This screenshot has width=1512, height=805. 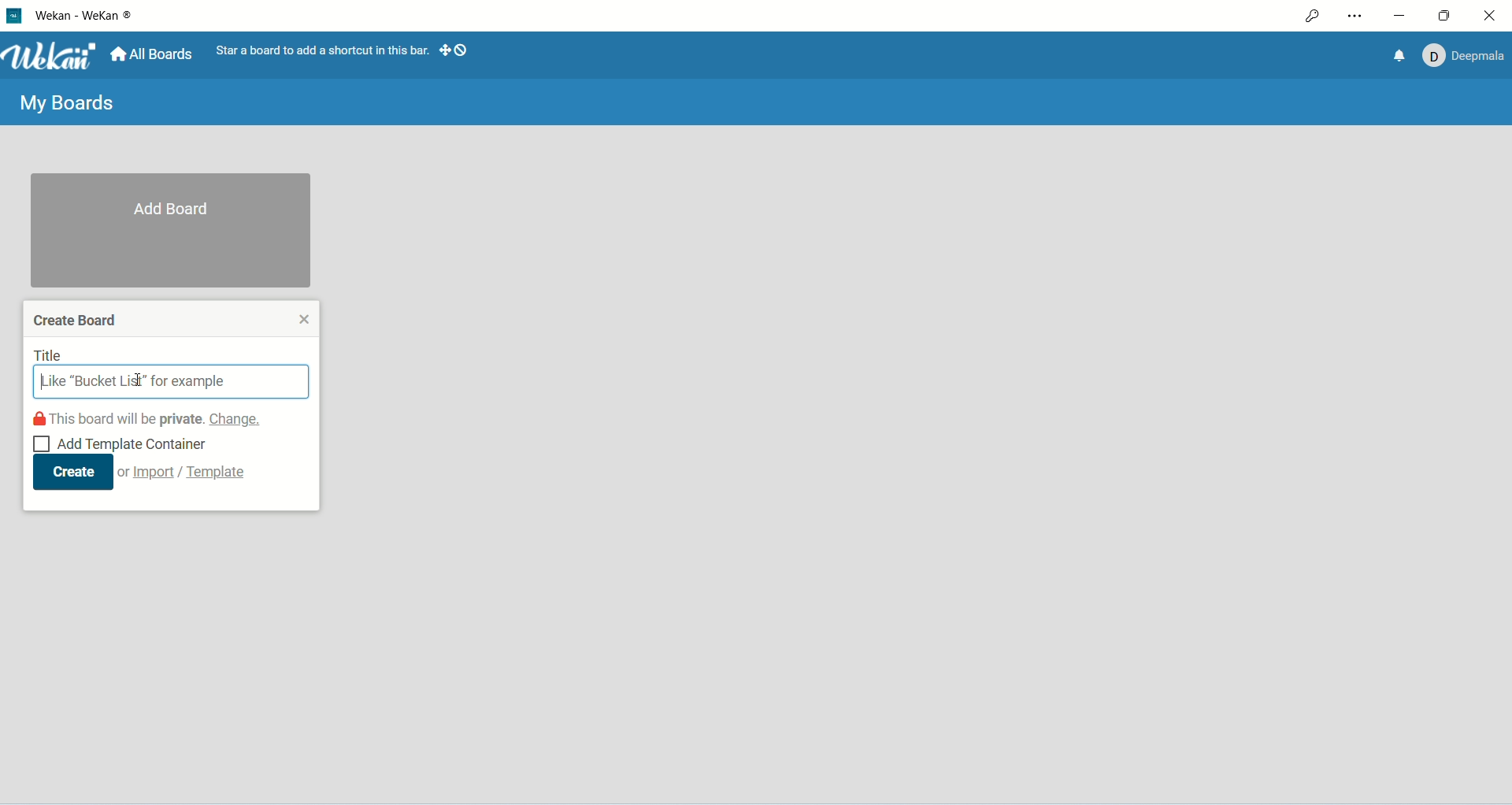 What do you see at coordinates (463, 50) in the screenshot?
I see `show-desktop-drag-handles` at bounding box center [463, 50].